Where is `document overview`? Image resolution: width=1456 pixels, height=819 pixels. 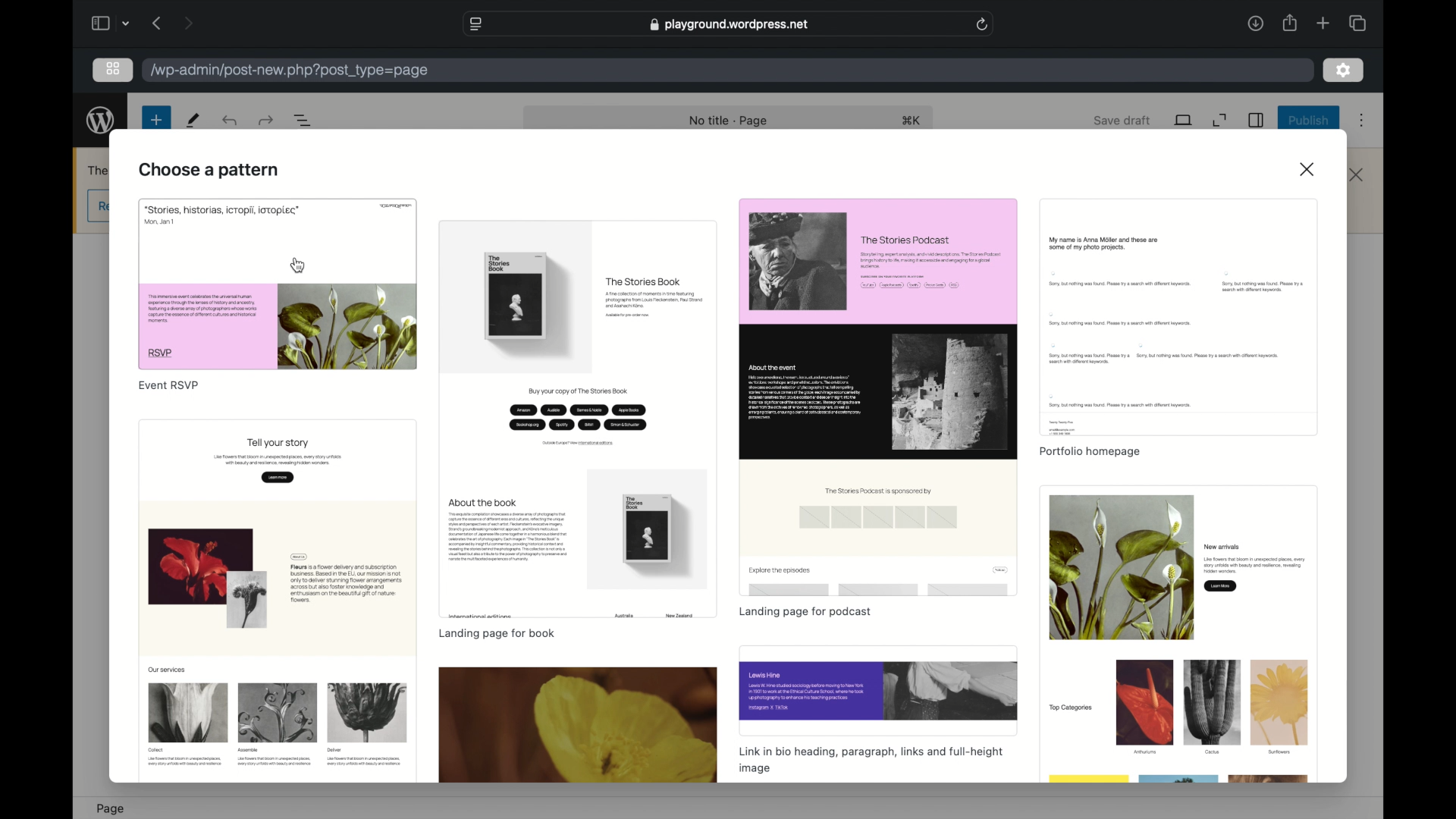
document overview is located at coordinates (305, 121).